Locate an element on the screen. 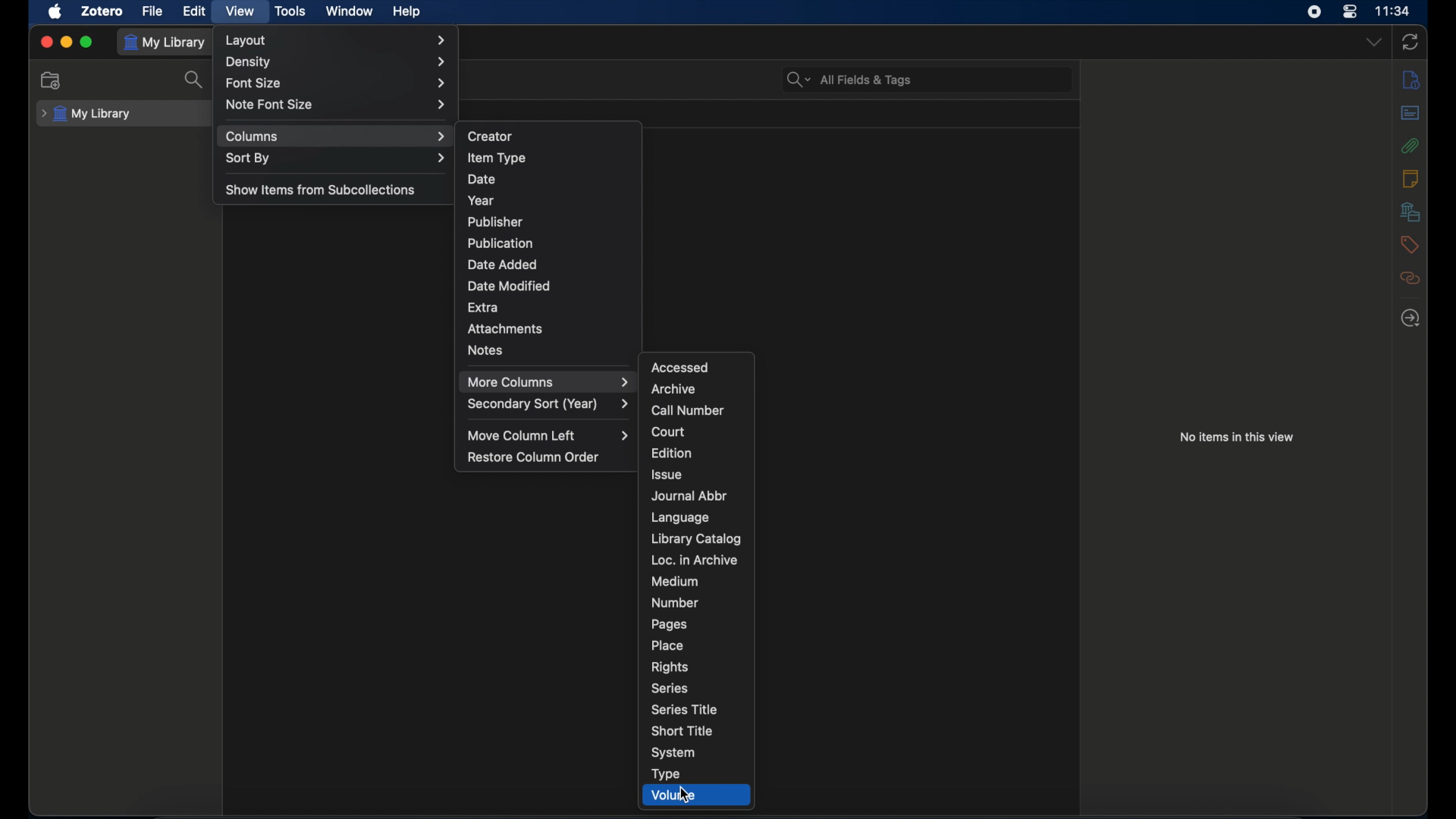 The width and height of the screenshot is (1456, 819). move column left is located at coordinates (547, 435).